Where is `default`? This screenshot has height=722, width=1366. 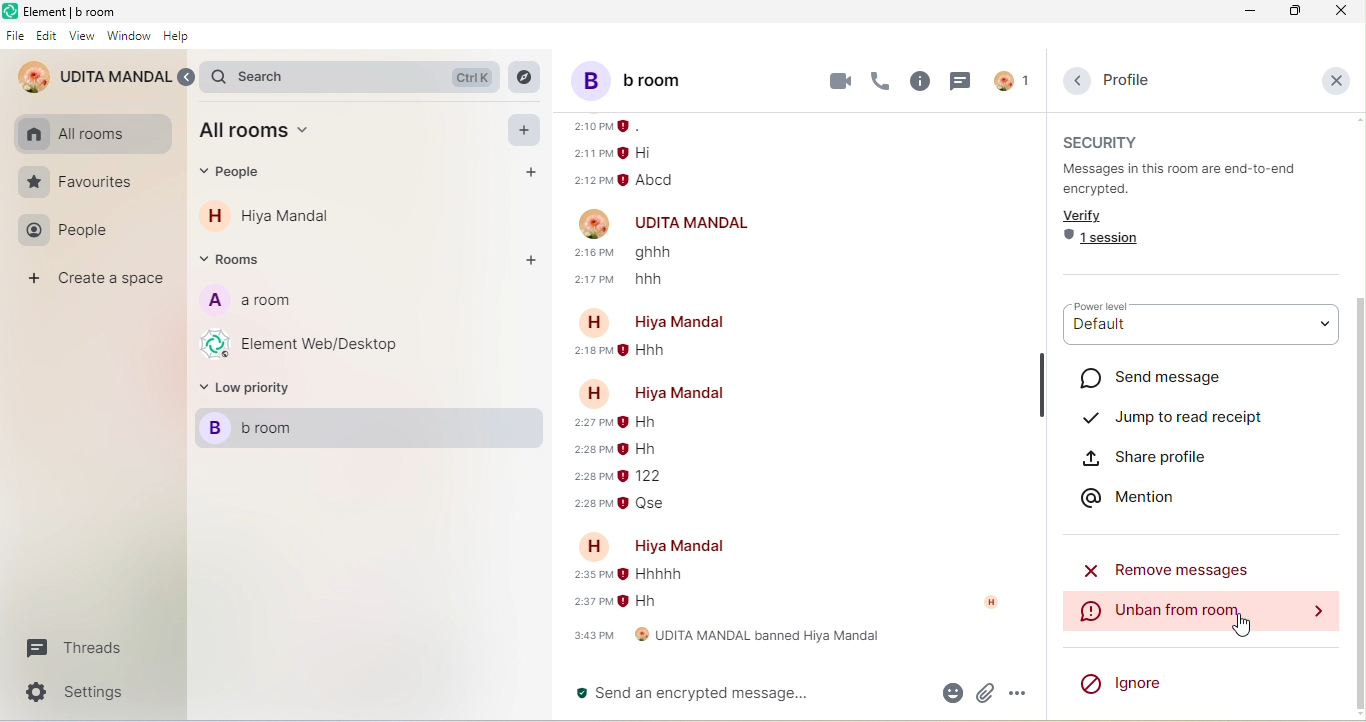
default is located at coordinates (1199, 334).